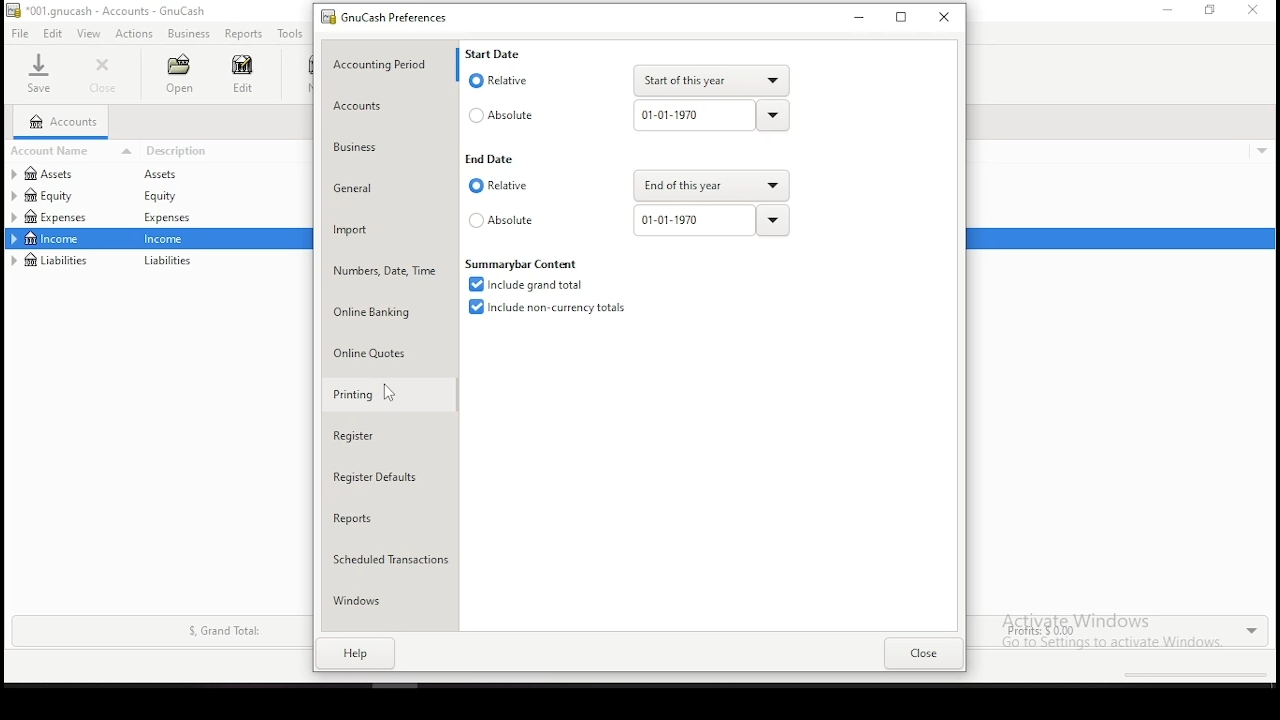 This screenshot has height=720, width=1280. Describe the element at coordinates (54, 238) in the screenshot. I see `income` at that location.